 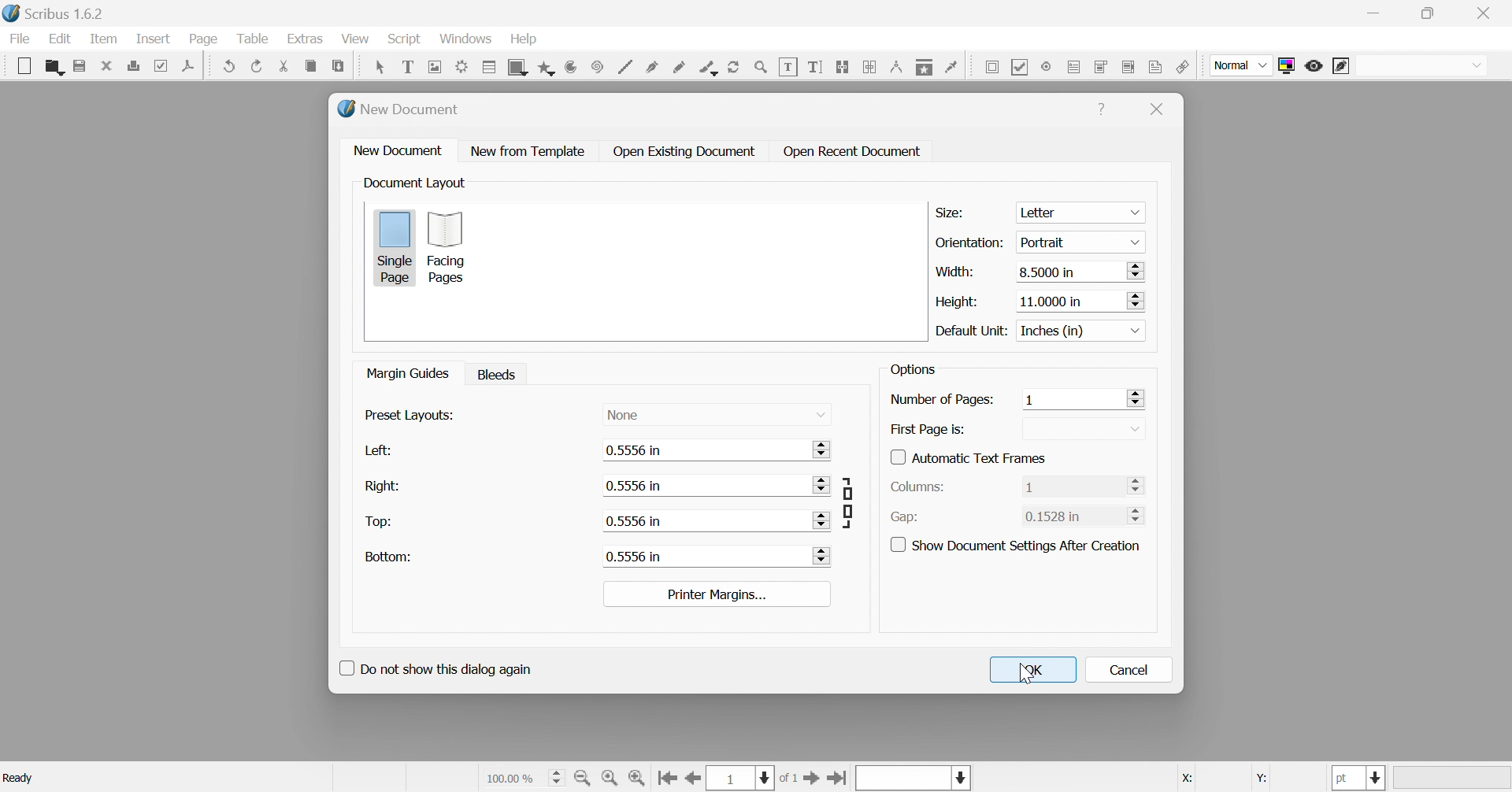 I want to click on select current layer, so click(x=962, y=777).